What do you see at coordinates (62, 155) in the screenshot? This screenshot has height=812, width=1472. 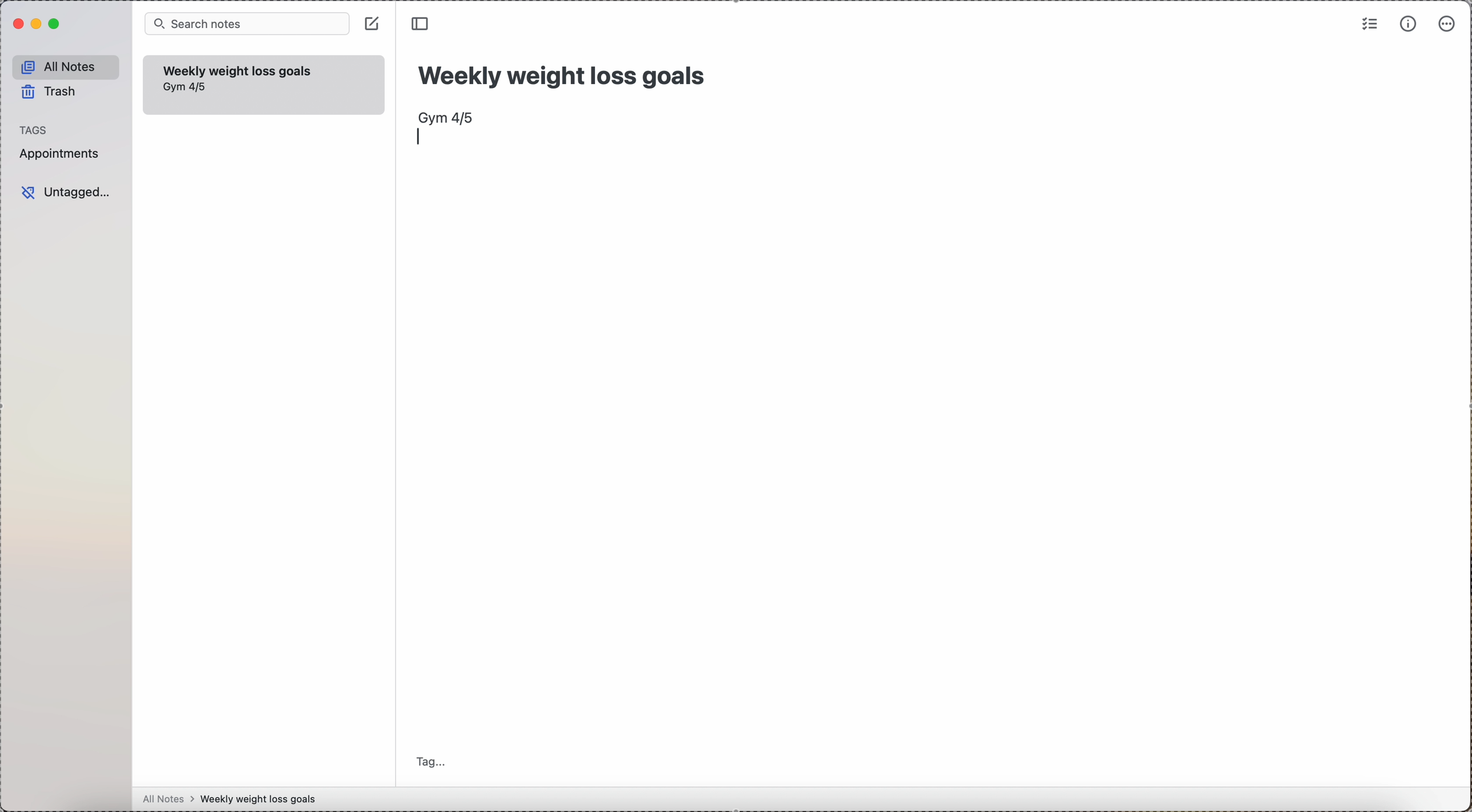 I see `appointments` at bounding box center [62, 155].